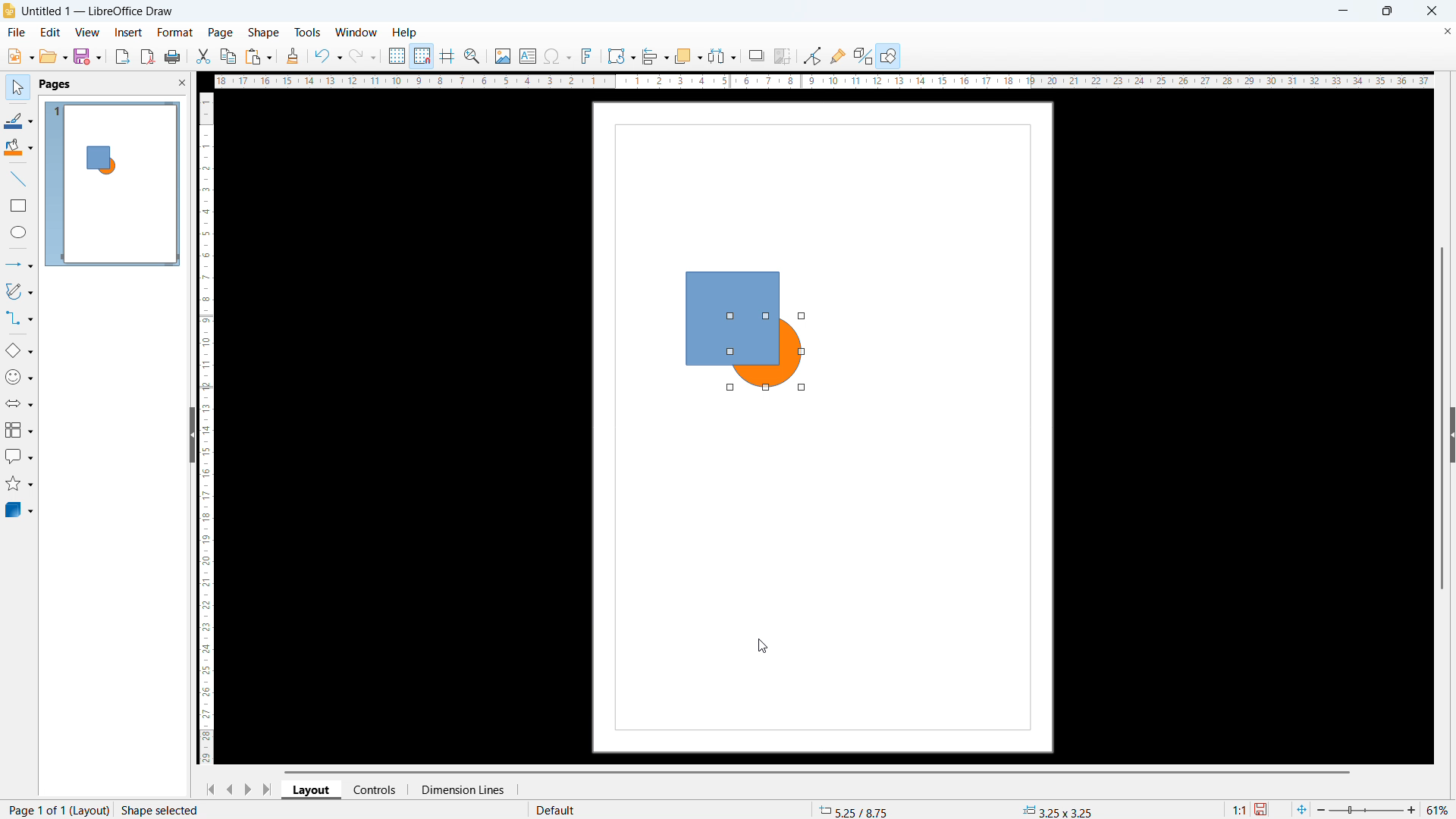 The width and height of the screenshot is (1456, 819). What do you see at coordinates (19, 431) in the screenshot?
I see `Flow chart ` at bounding box center [19, 431].